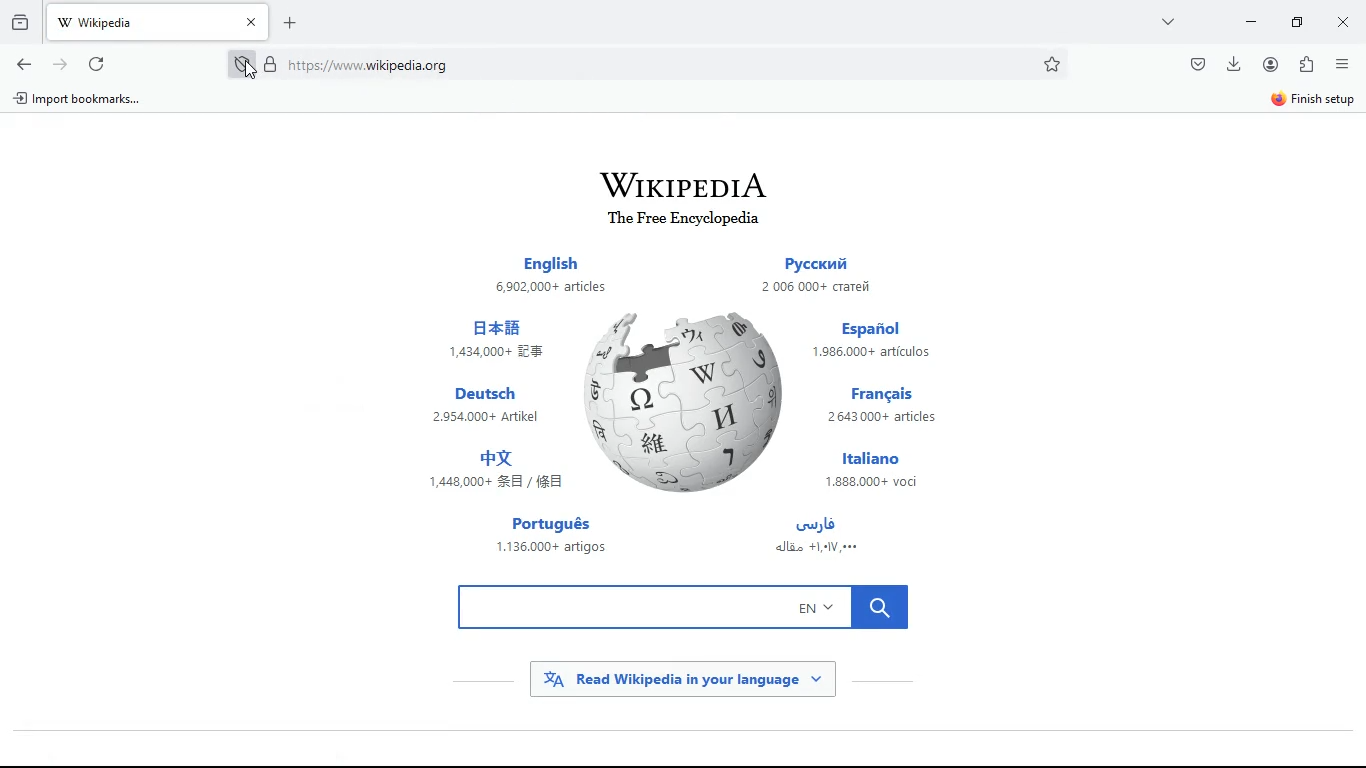 Image resolution: width=1366 pixels, height=768 pixels. What do you see at coordinates (158, 22) in the screenshot?
I see `tab` at bounding box center [158, 22].